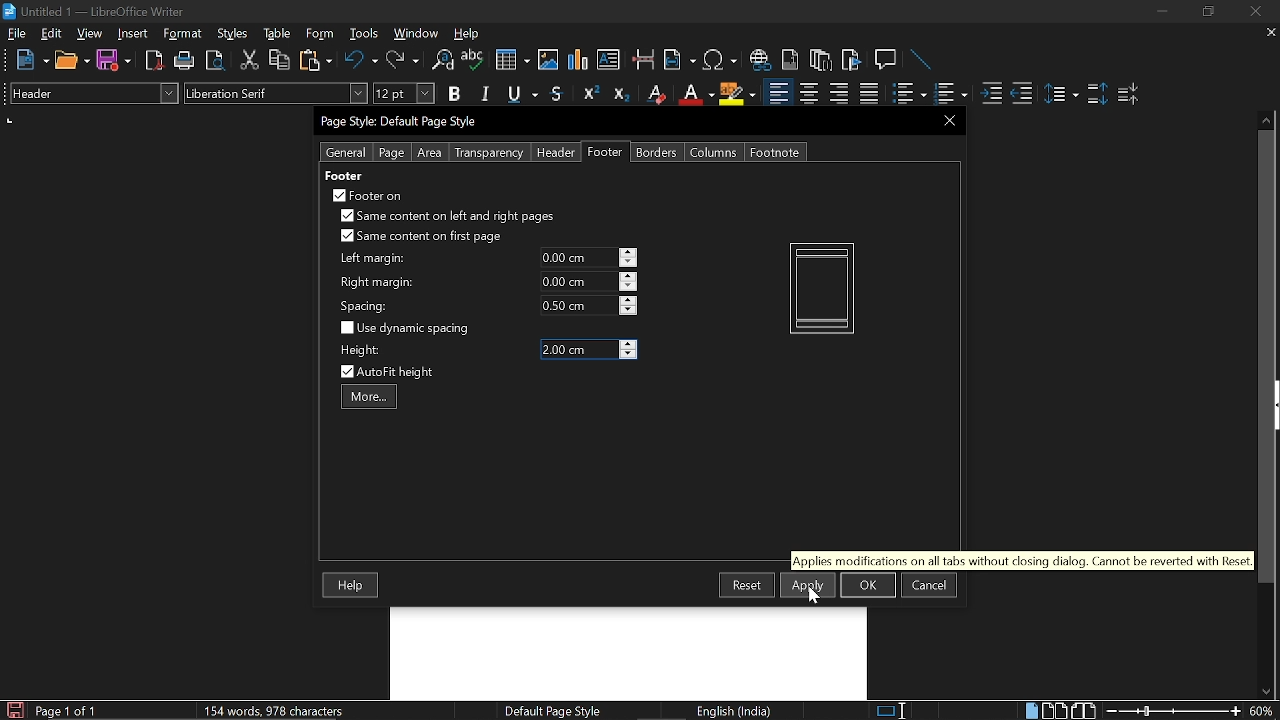  I want to click on spacing, so click(367, 306).